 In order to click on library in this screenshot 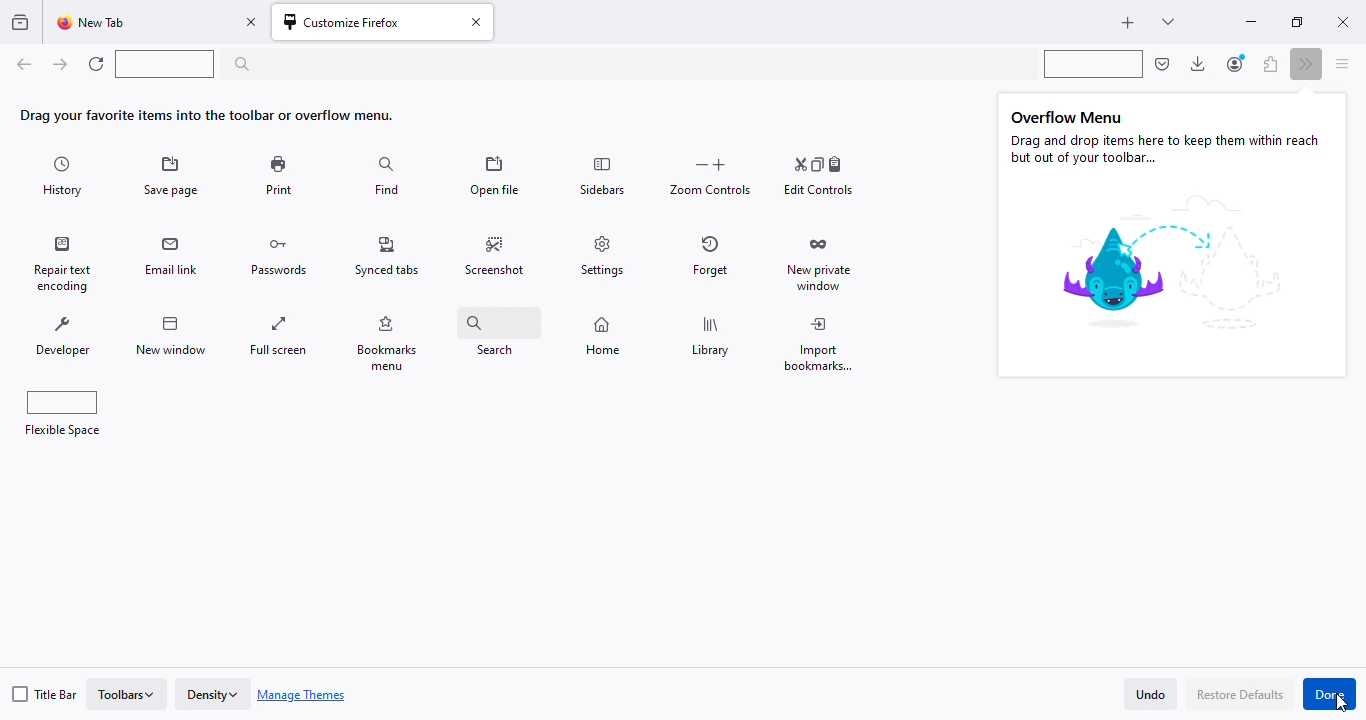, I will do `click(710, 337)`.